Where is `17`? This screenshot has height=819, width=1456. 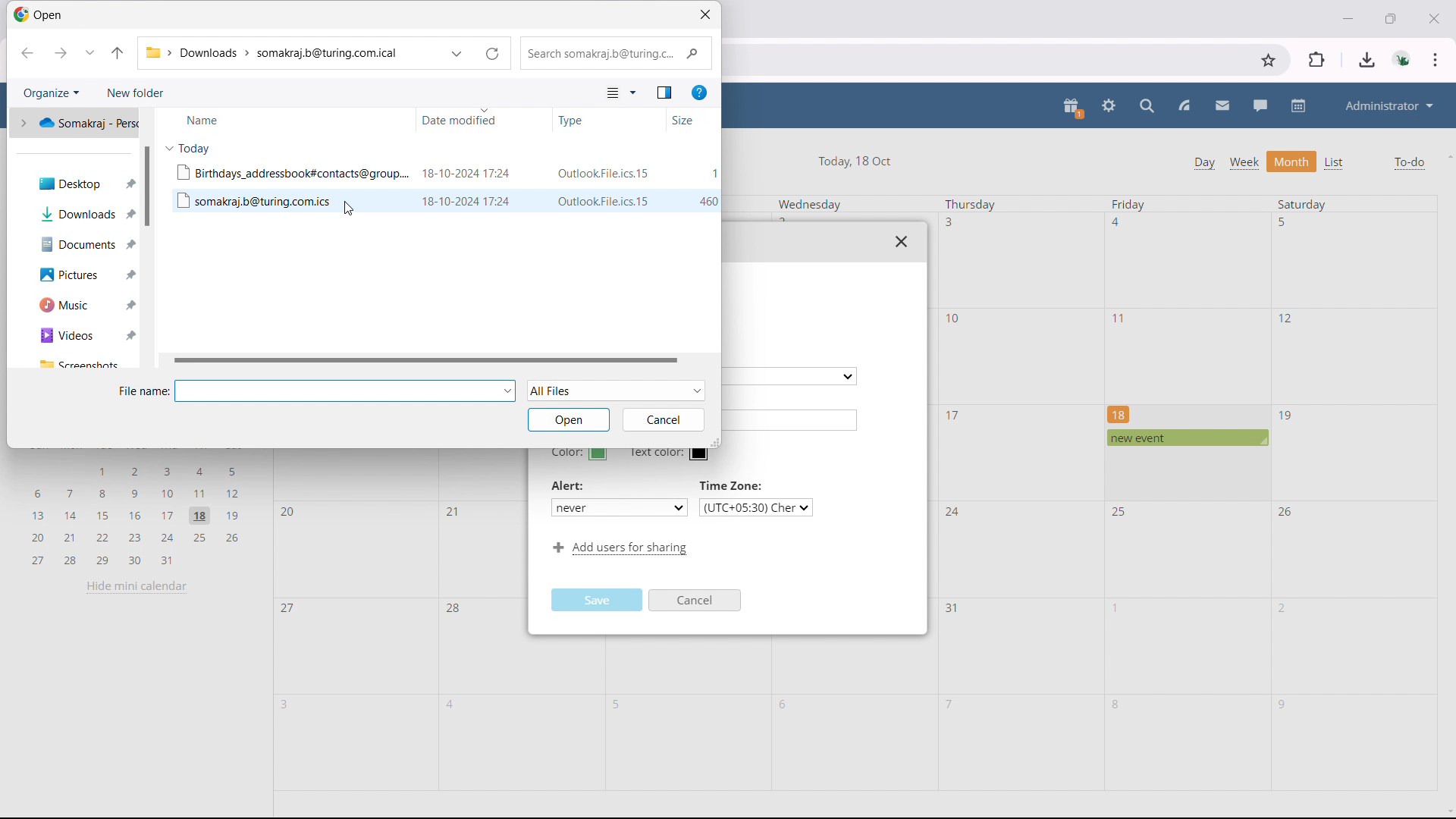 17 is located at coordinates (953, 415).